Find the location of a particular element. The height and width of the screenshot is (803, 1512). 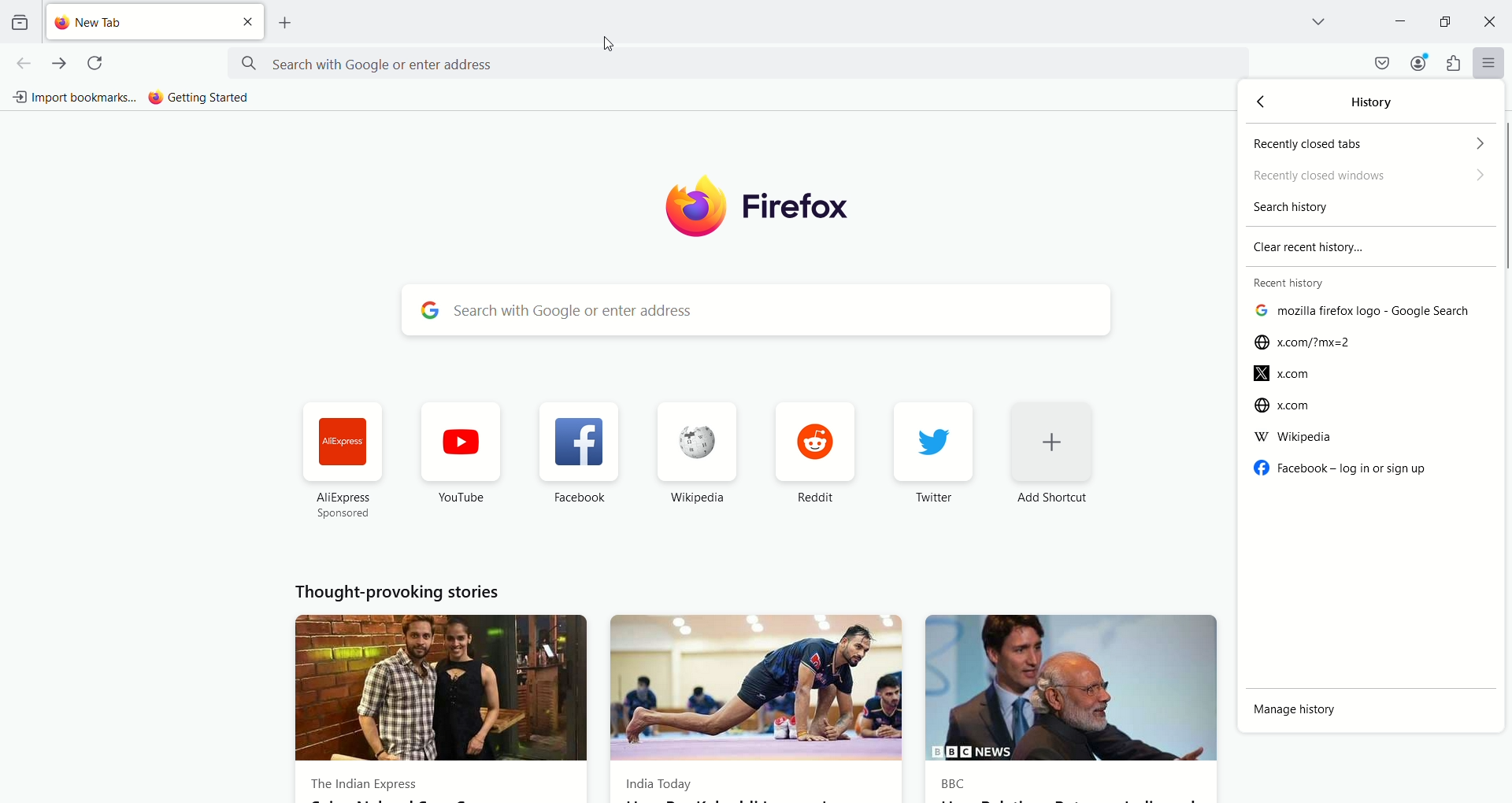

extension is located at coordinates (1454, 63).